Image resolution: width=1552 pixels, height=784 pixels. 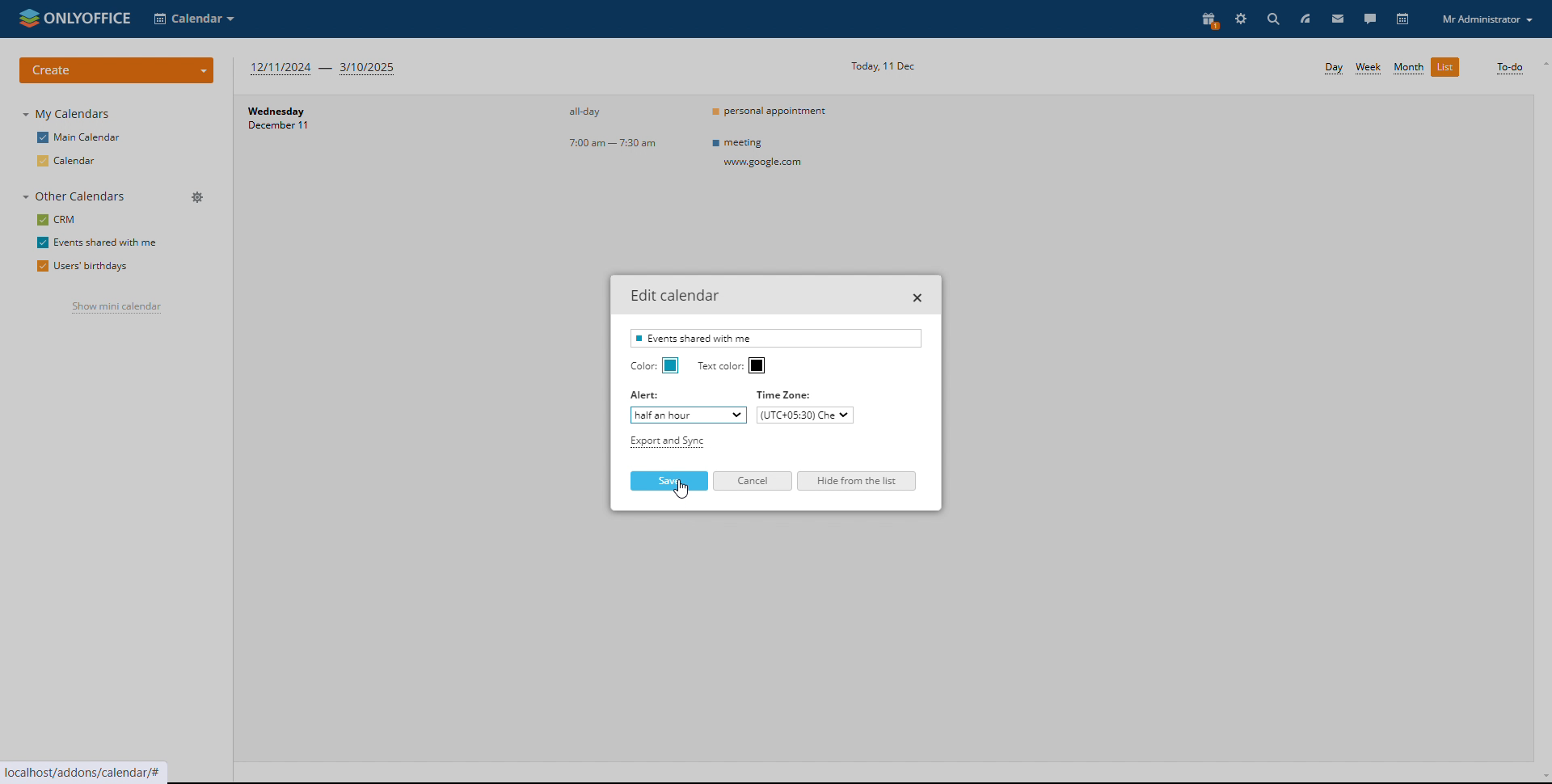 What do you see at coordinates (1369, 19) in the screenshot?
I see `talk` at bounding box center [1369, 19].